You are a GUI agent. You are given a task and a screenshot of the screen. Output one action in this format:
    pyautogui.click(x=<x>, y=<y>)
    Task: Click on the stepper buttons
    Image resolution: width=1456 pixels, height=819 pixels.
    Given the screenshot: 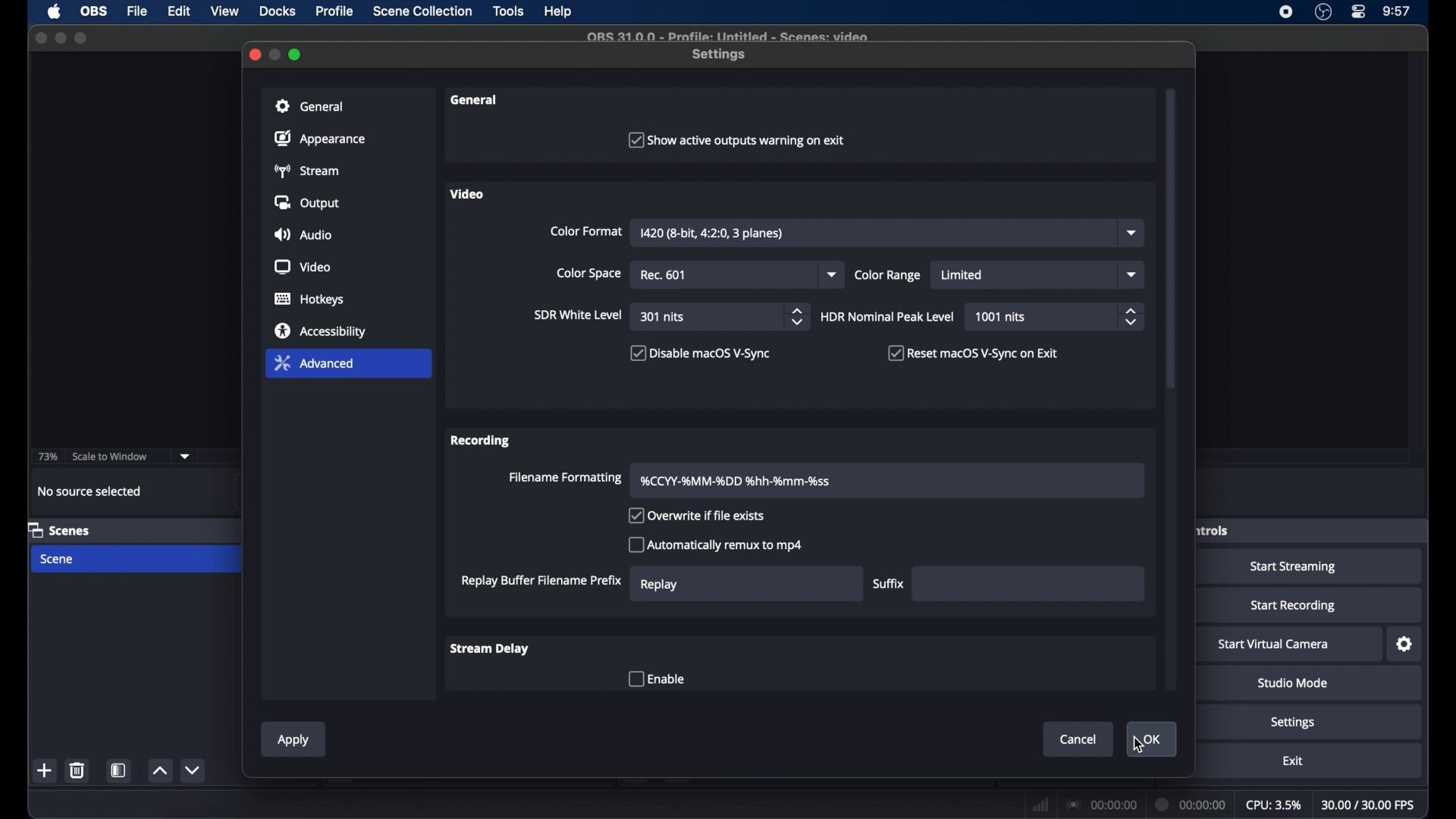 What is the action you would take?
    pyautogui.click(x=796, y=316)
    